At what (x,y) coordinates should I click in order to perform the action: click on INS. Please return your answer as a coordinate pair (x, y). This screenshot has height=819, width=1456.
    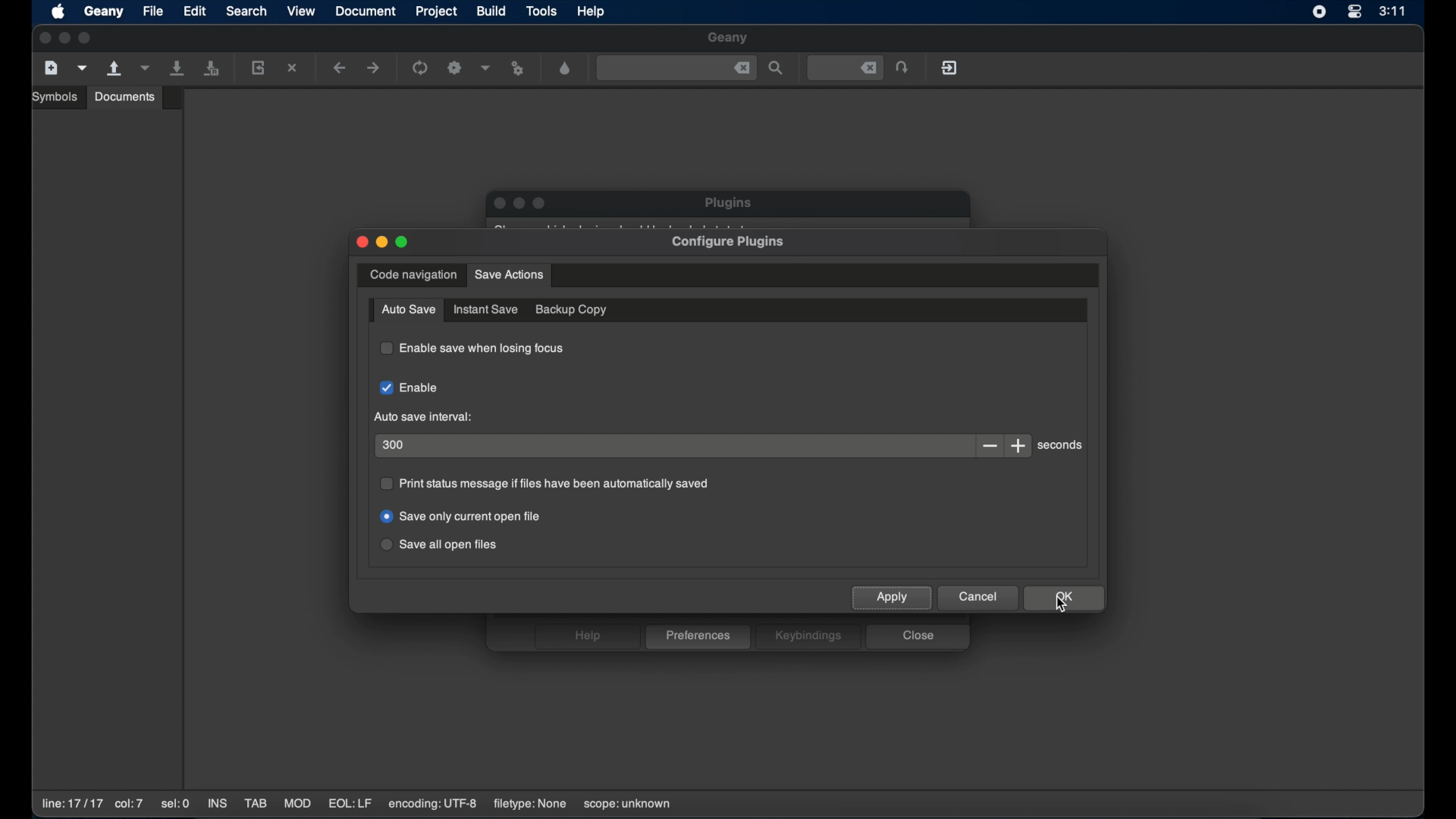
    Looking at the image, I should click on (218, 805).